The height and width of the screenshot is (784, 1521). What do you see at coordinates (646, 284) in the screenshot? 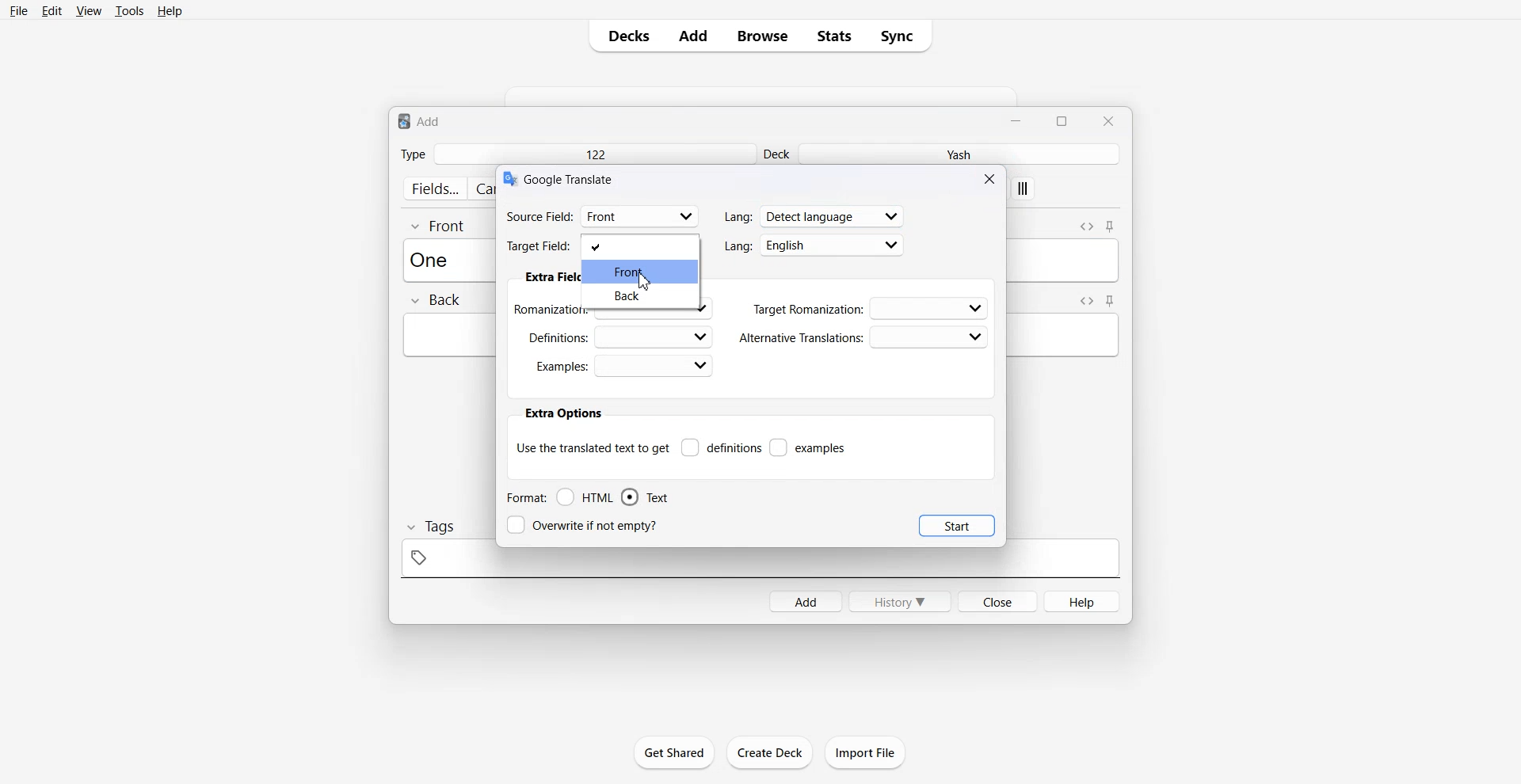
I see `cursor` at bounding box center [646, 284].